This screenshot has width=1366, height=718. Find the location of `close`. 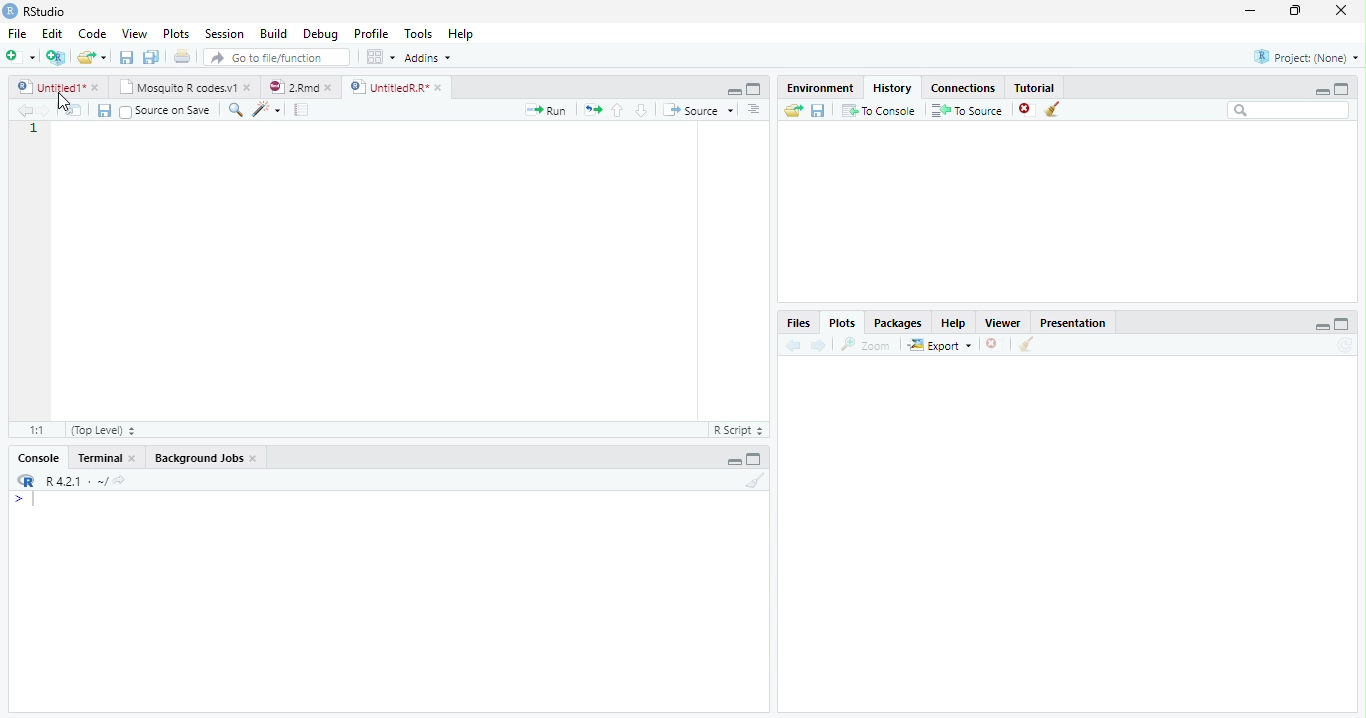

close is located at coordinates (95, 88).